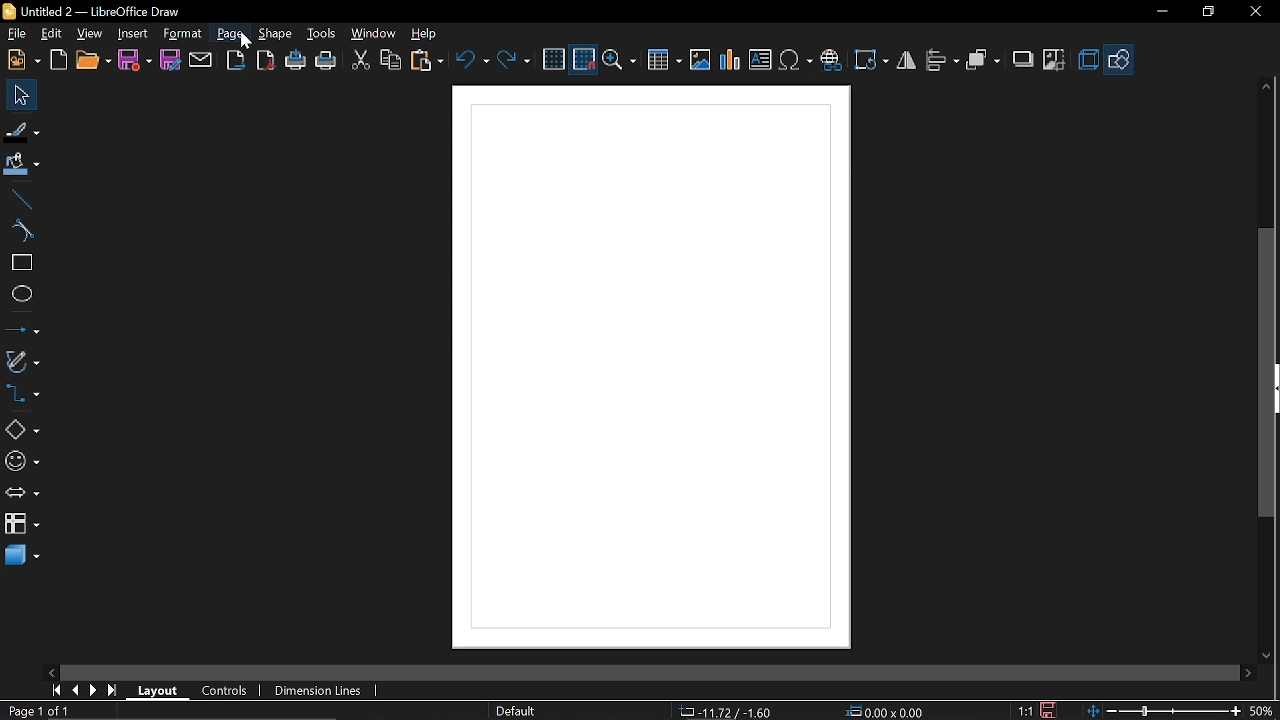  What do you see at coordinates (20, 522) in the screenshot?
I see `Flowchart` at bounding box center [20, 522].